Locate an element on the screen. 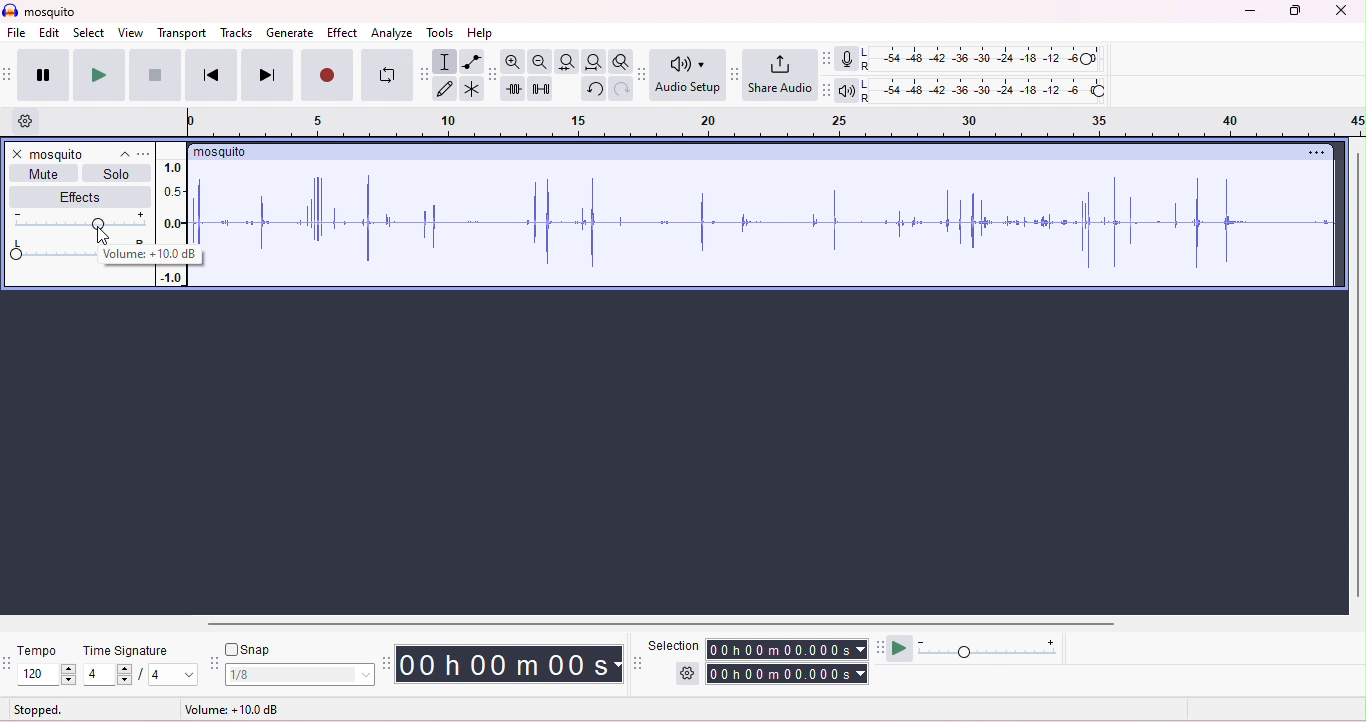 This screenshot has height=722, width=1366. select time signature is located at coordinates (167, 675).